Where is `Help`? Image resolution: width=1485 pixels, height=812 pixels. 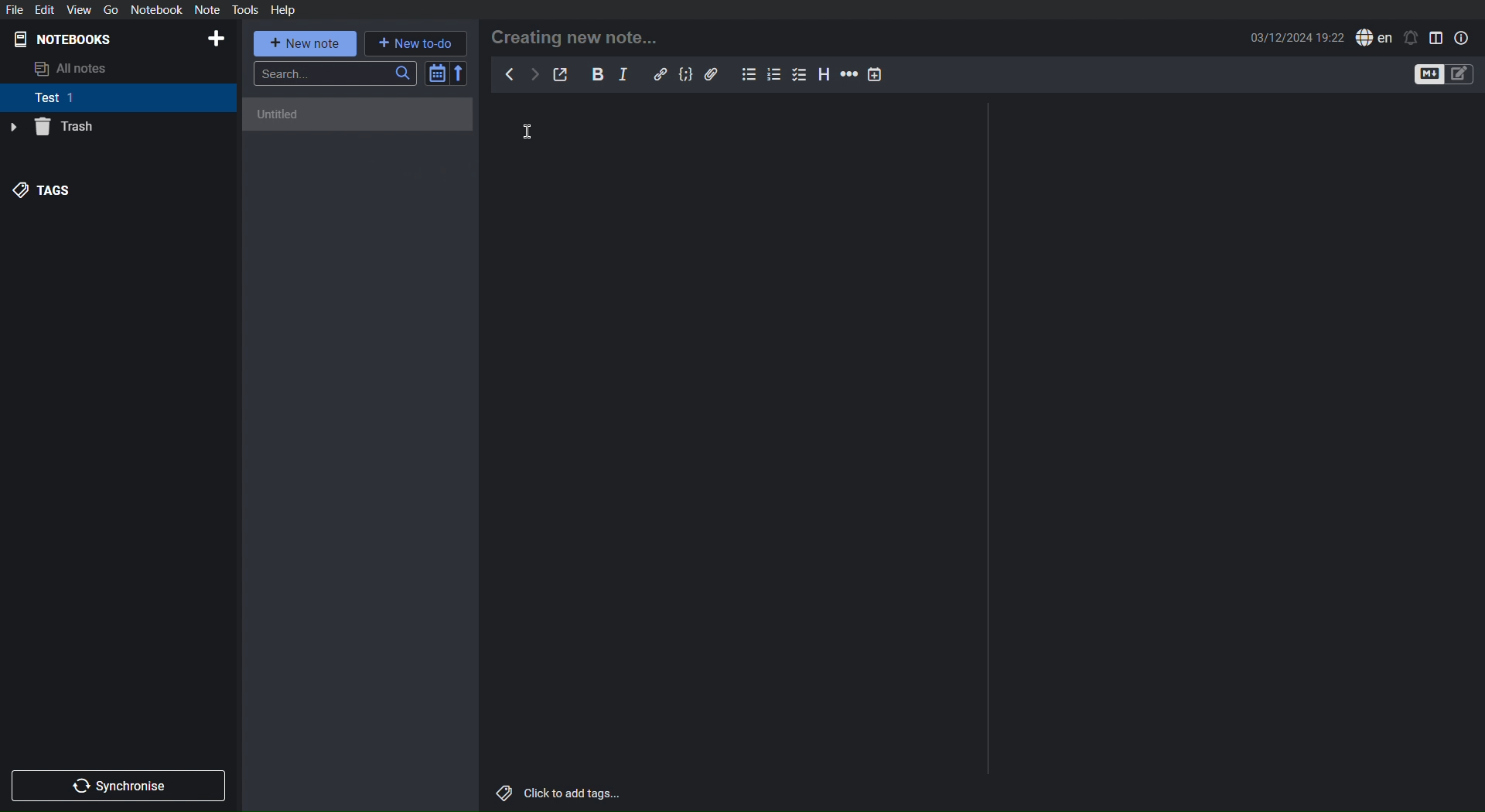 Help is located at coordinates (285, 10).